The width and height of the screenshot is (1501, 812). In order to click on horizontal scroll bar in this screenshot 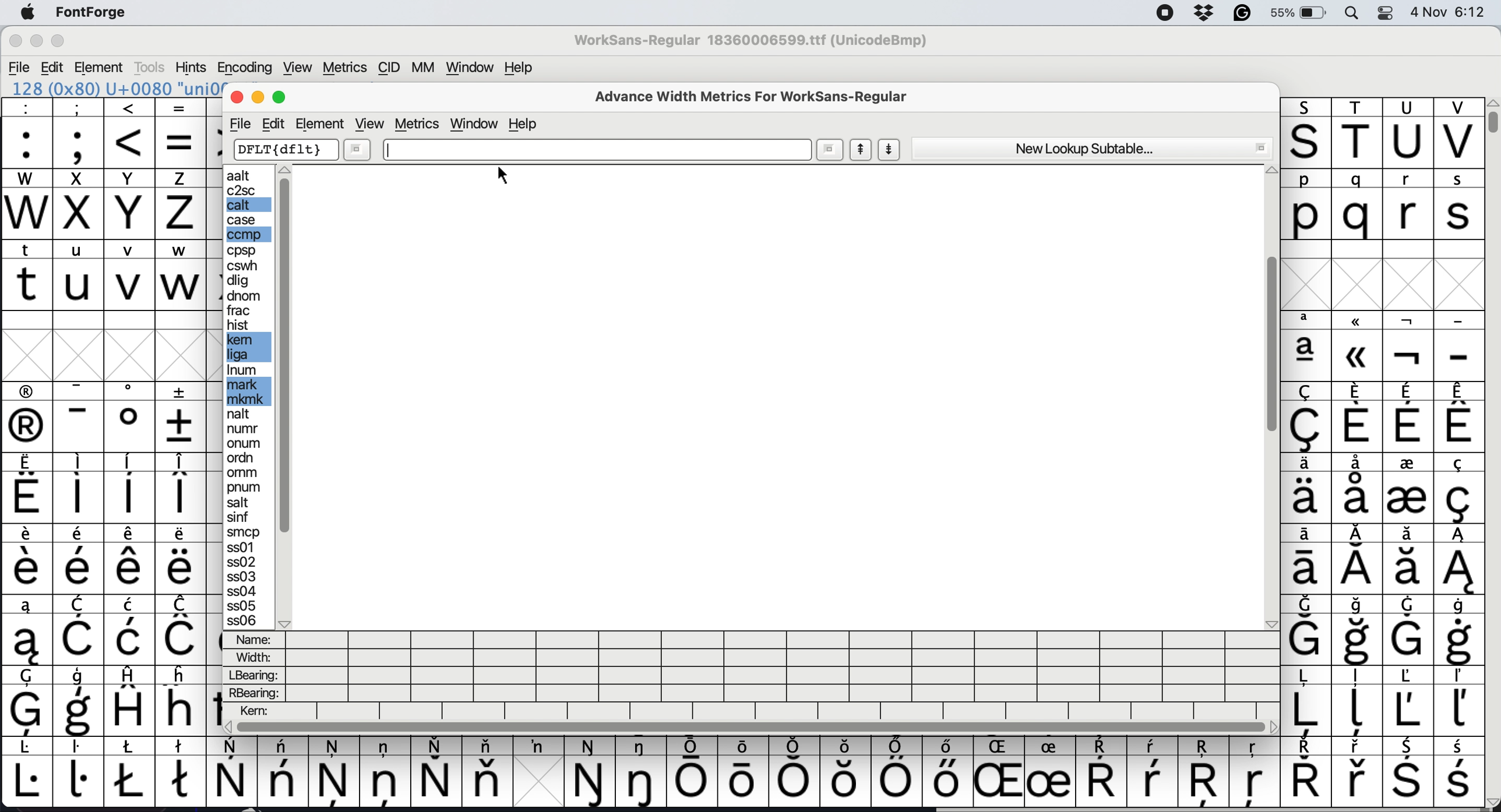, I will do `click(753, 728)`.